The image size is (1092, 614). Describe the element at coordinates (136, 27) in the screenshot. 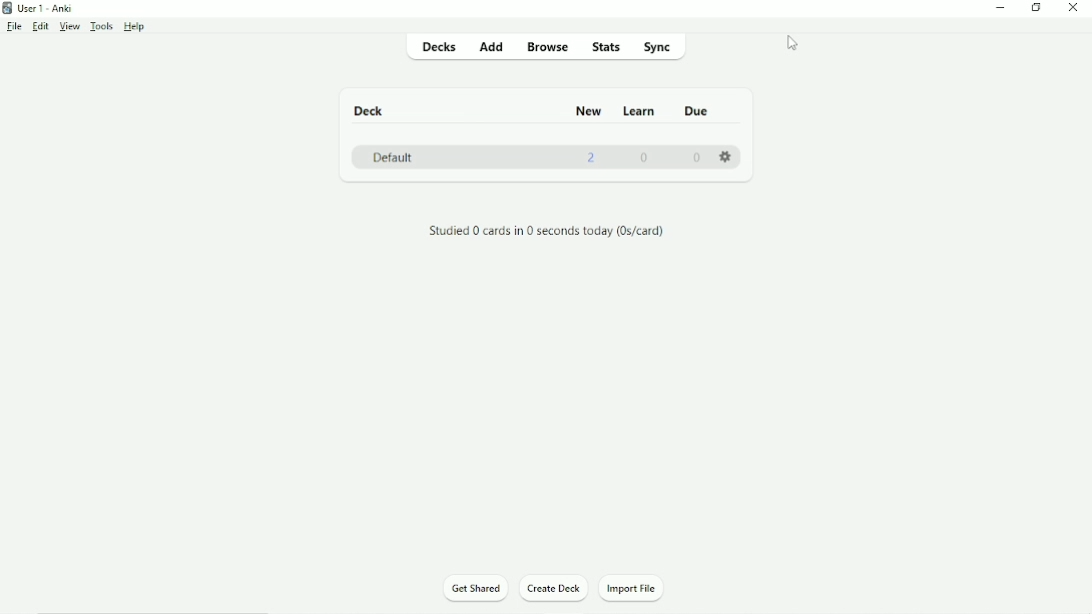

I see `Help` at that location.